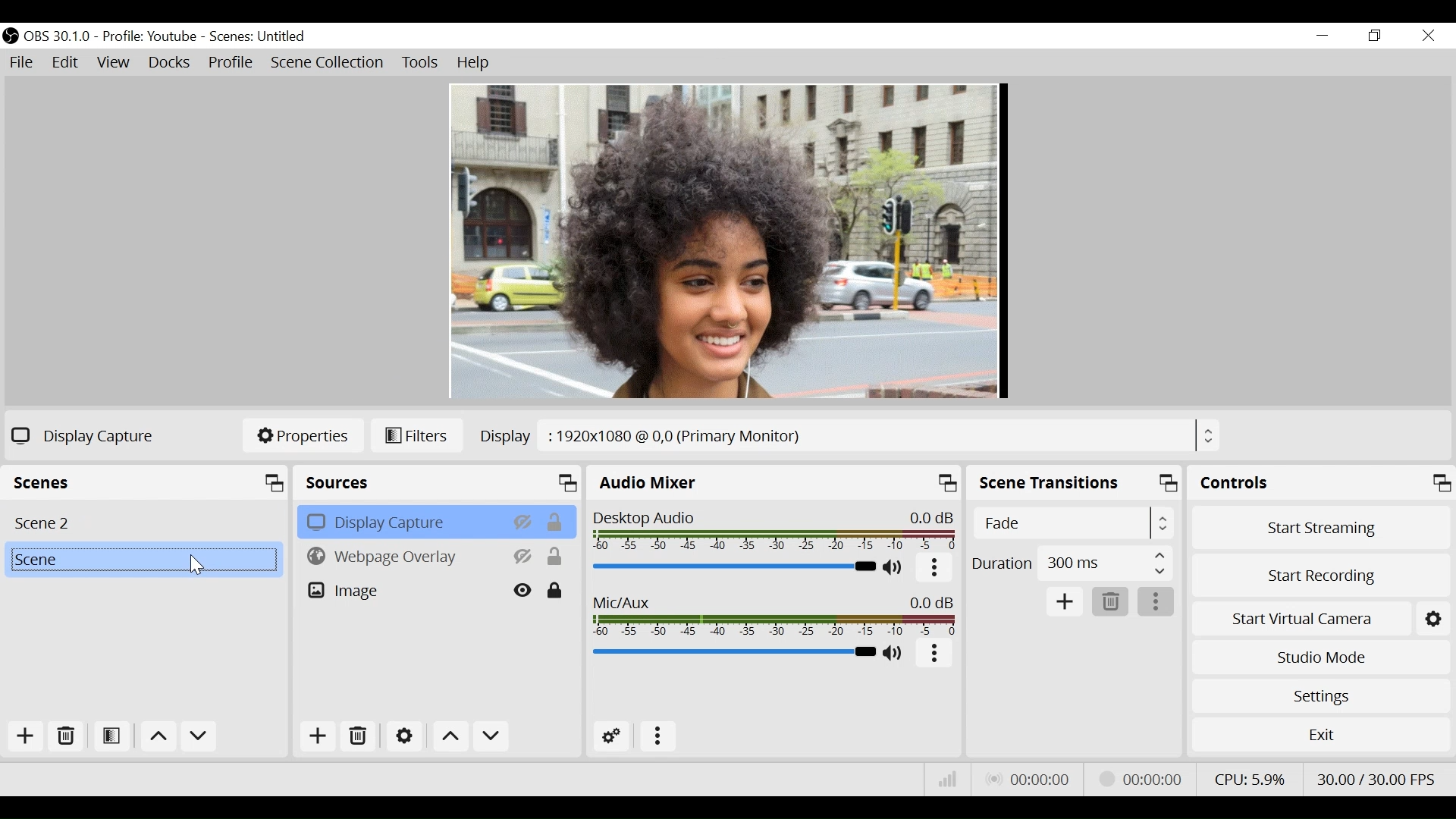 This screenshot has height=819, width=1456. I want to click on Streaming Status, so click(1145, 780).